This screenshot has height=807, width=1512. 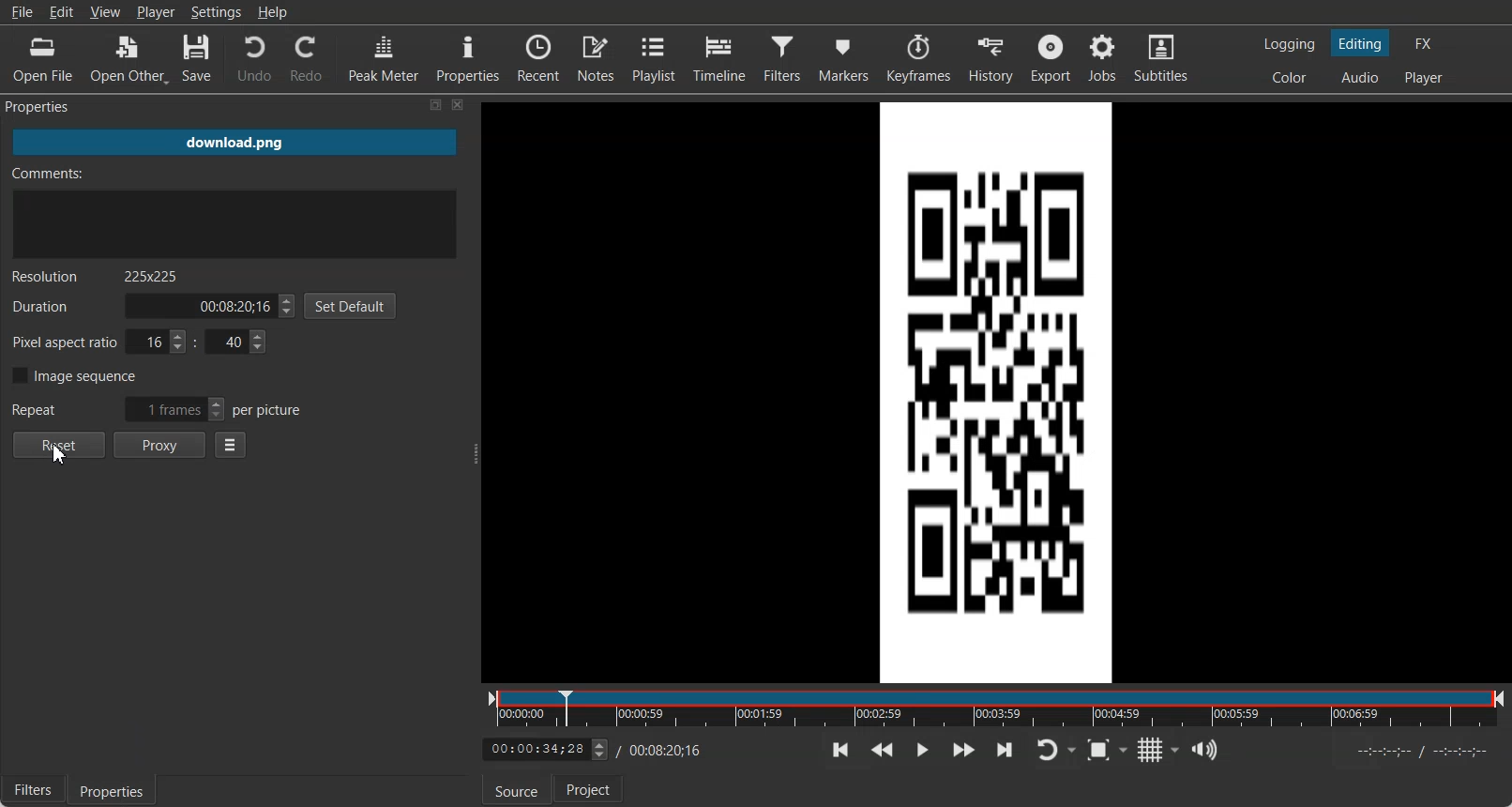 What do you see at coordinates (1004, 749) in the screenshot?
I see `Skip to the next point` at bounding box center [1004, 749].